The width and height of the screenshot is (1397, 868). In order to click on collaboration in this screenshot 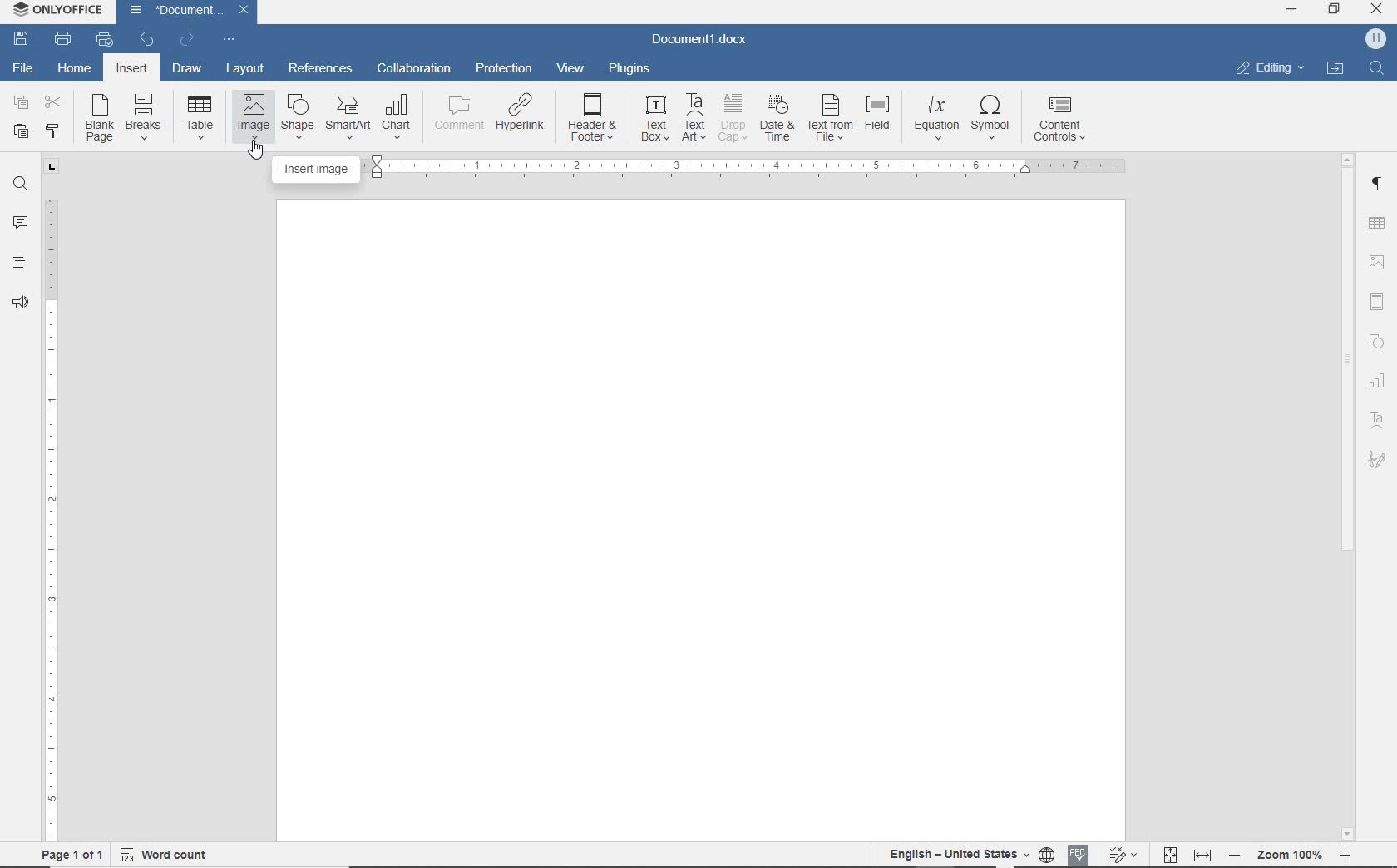, I will do `click(415, 67)`.